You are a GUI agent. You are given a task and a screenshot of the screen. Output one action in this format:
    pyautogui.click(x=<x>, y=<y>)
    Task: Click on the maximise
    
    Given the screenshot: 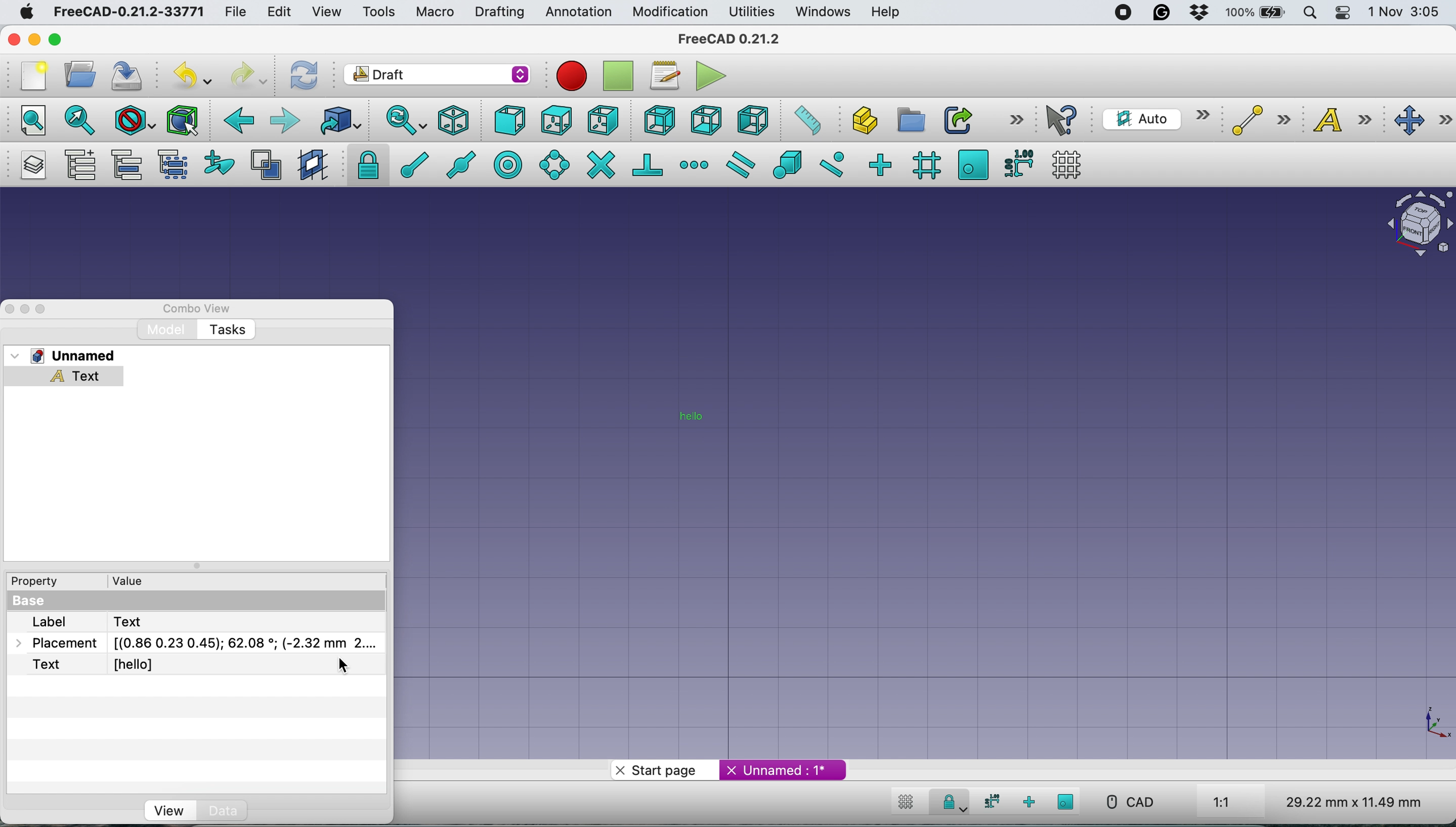 What is the action you would take?
    pyautogui.click(x=49, y=307)
    